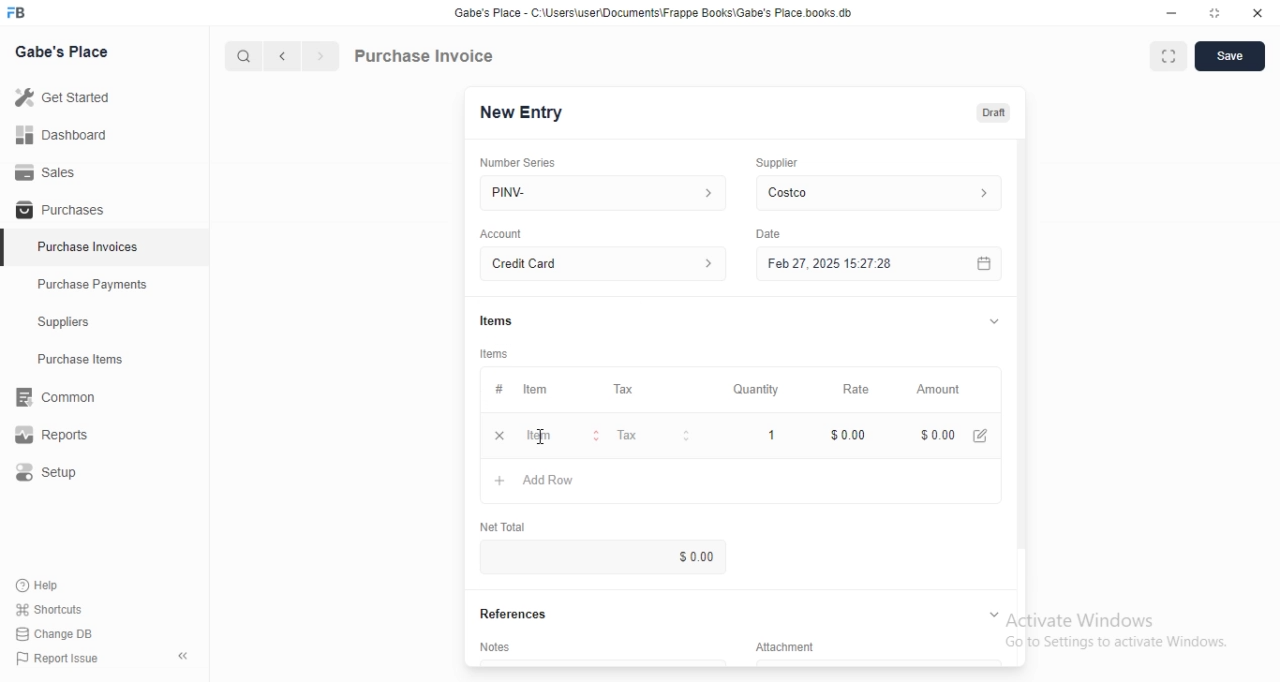  Describe the element at coordinates (243, 56) in the screenshot. I see `Search` at that location.